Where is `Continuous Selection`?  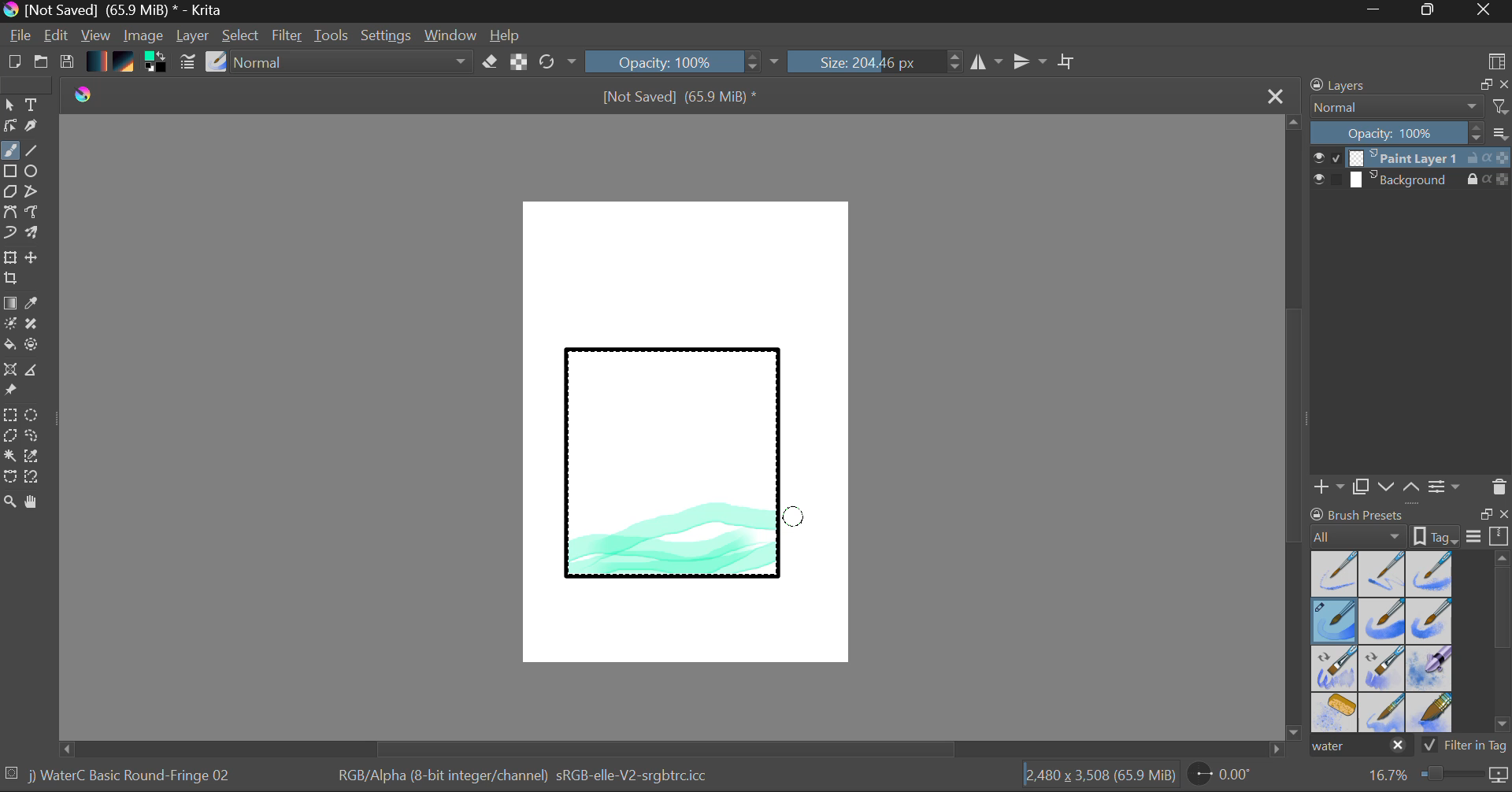 Continuous Selection is located at coordinates (9, 455).